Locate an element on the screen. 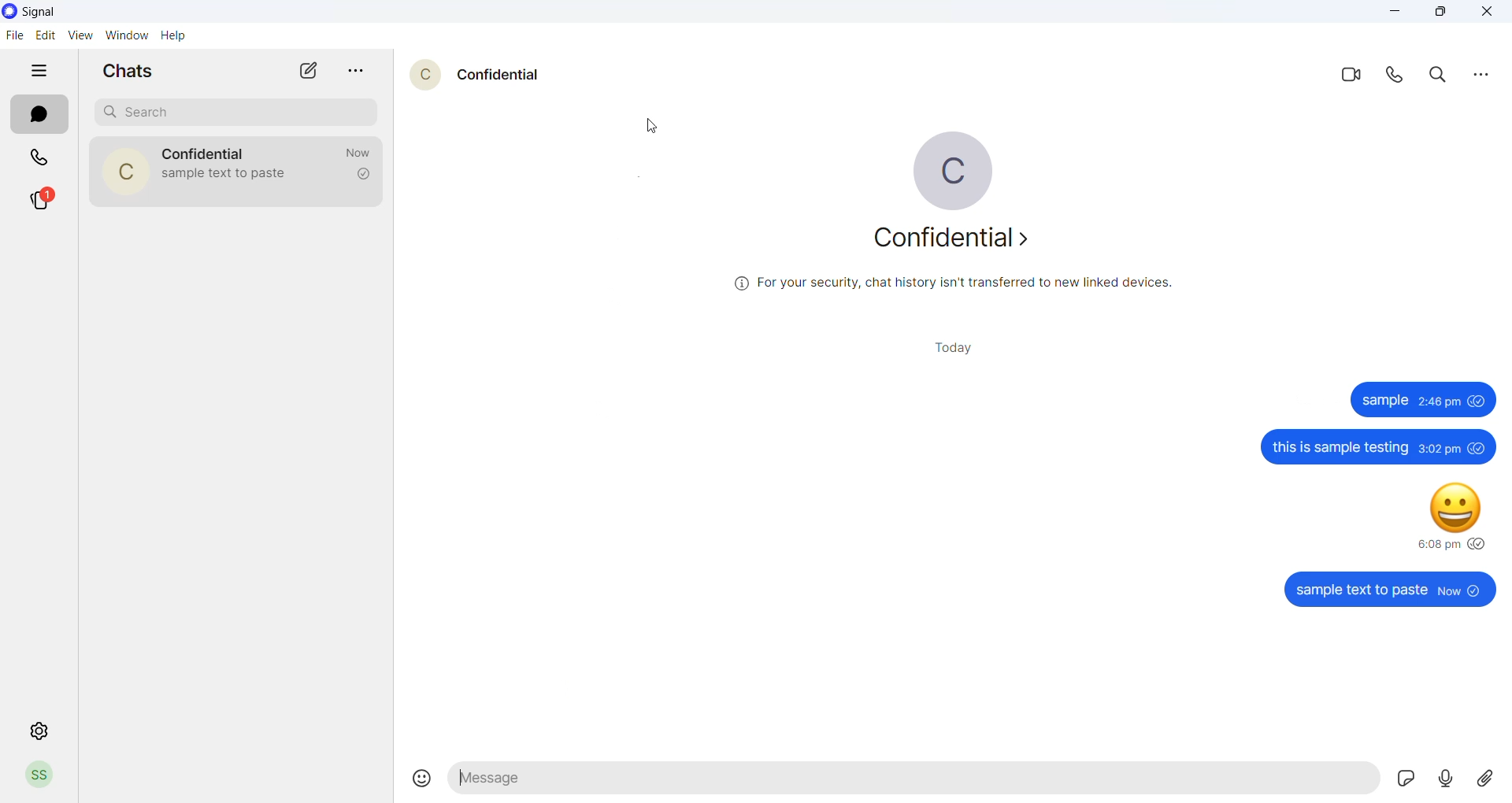  close is located at coordinates (1488, 13).